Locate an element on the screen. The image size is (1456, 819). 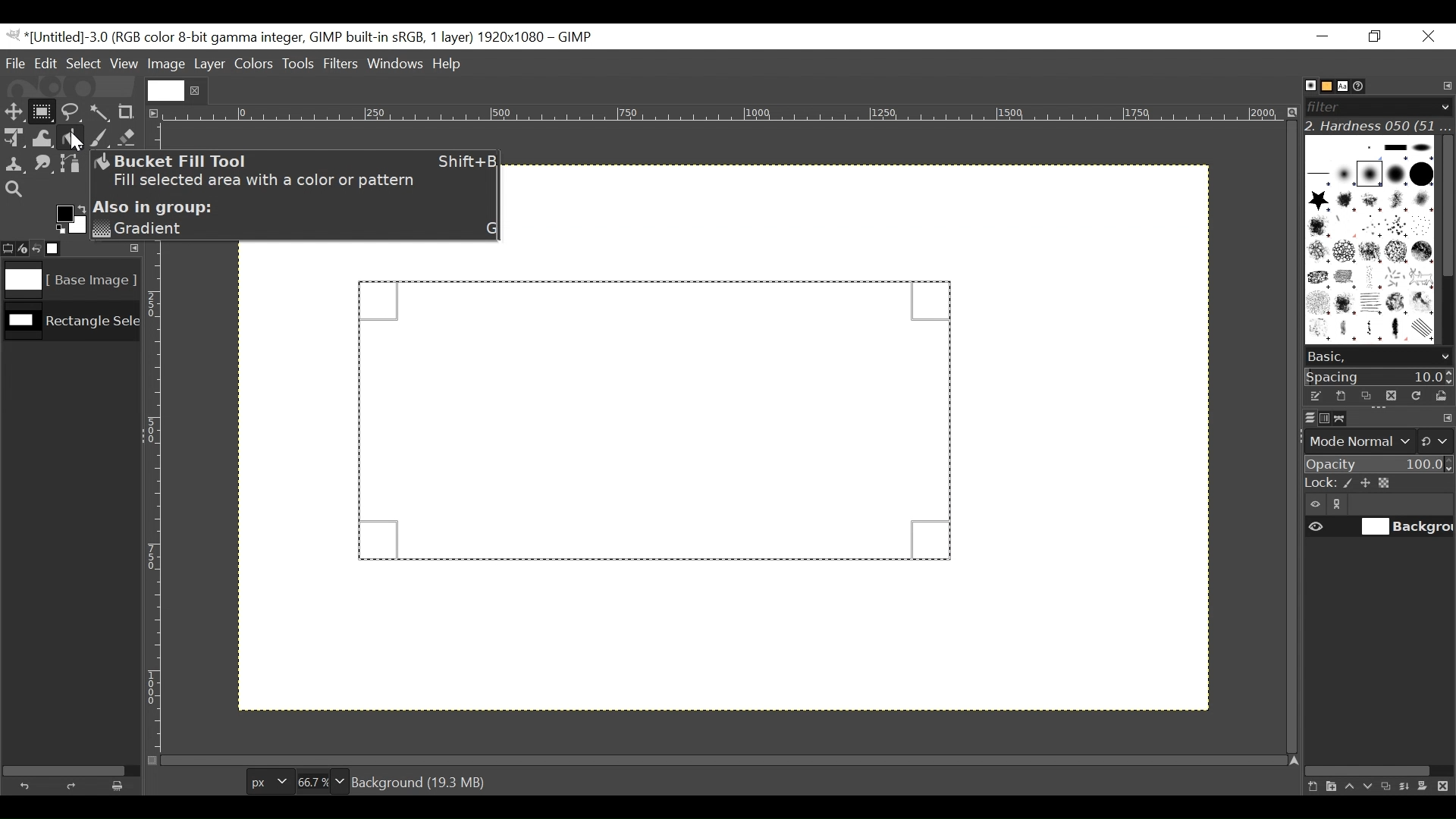
Item visibility is located at coordinates (1316, 505).